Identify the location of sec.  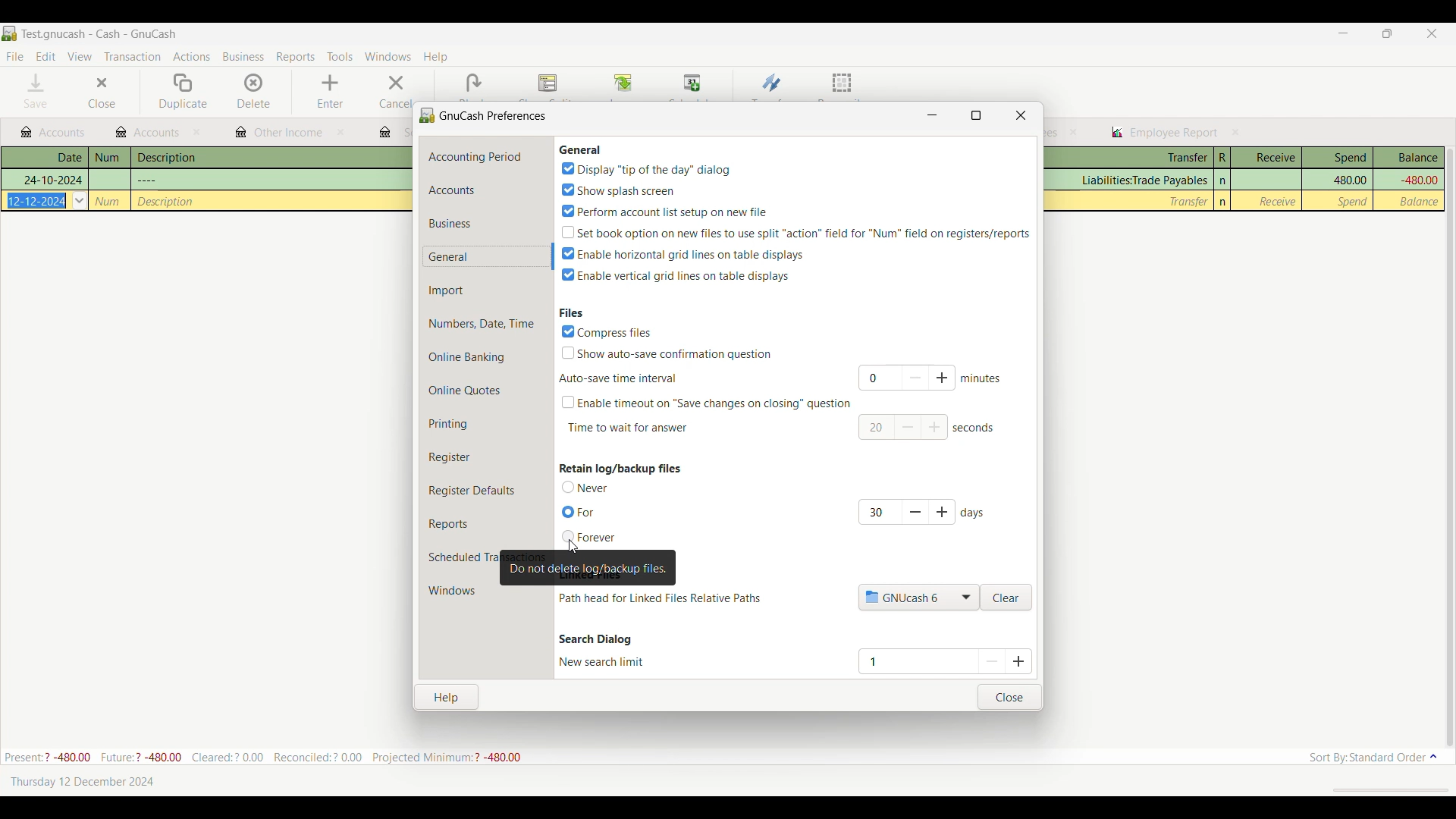
(975, 428).